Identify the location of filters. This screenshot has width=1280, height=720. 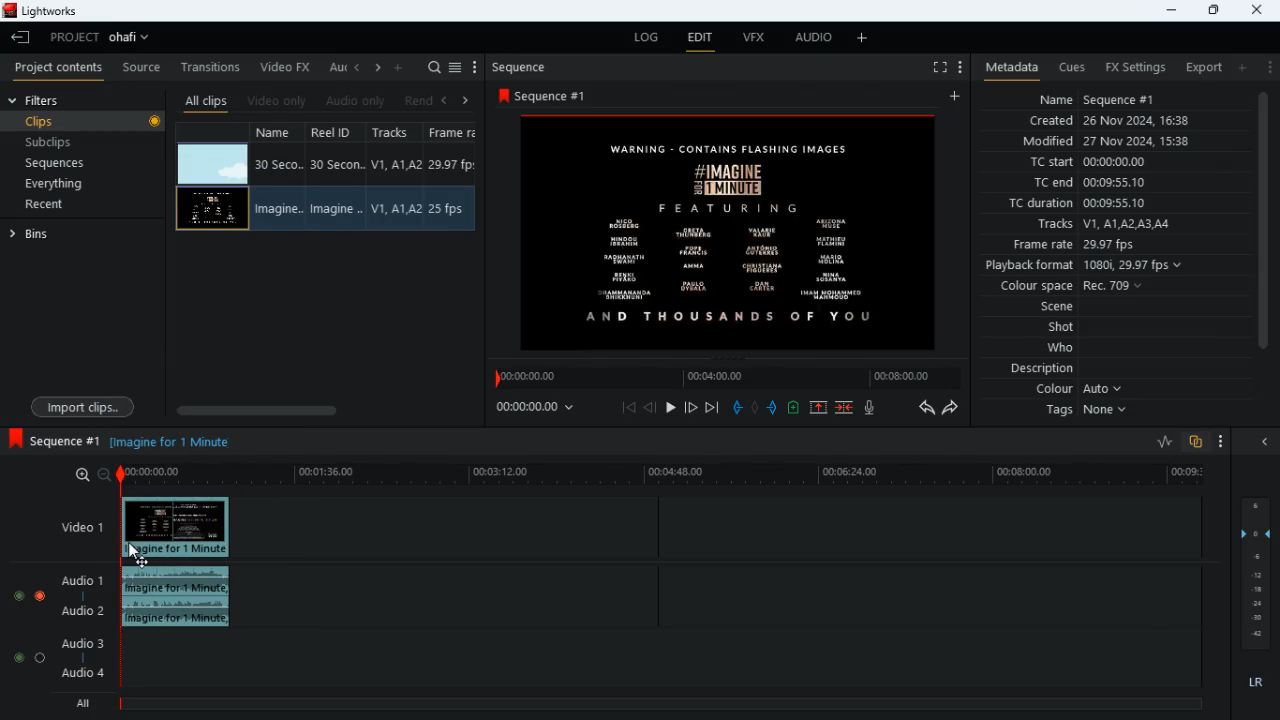
(51, 99).